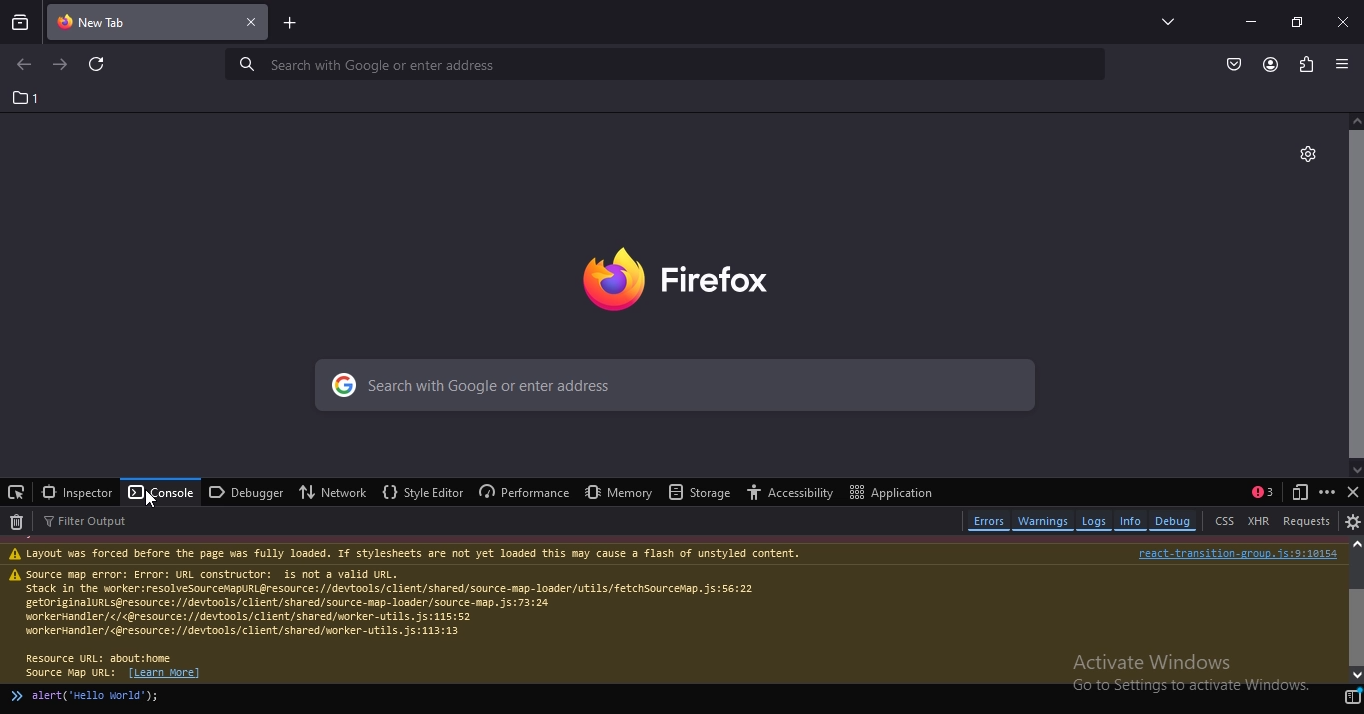  I want to click on save to pocket, so click(1235, 65).